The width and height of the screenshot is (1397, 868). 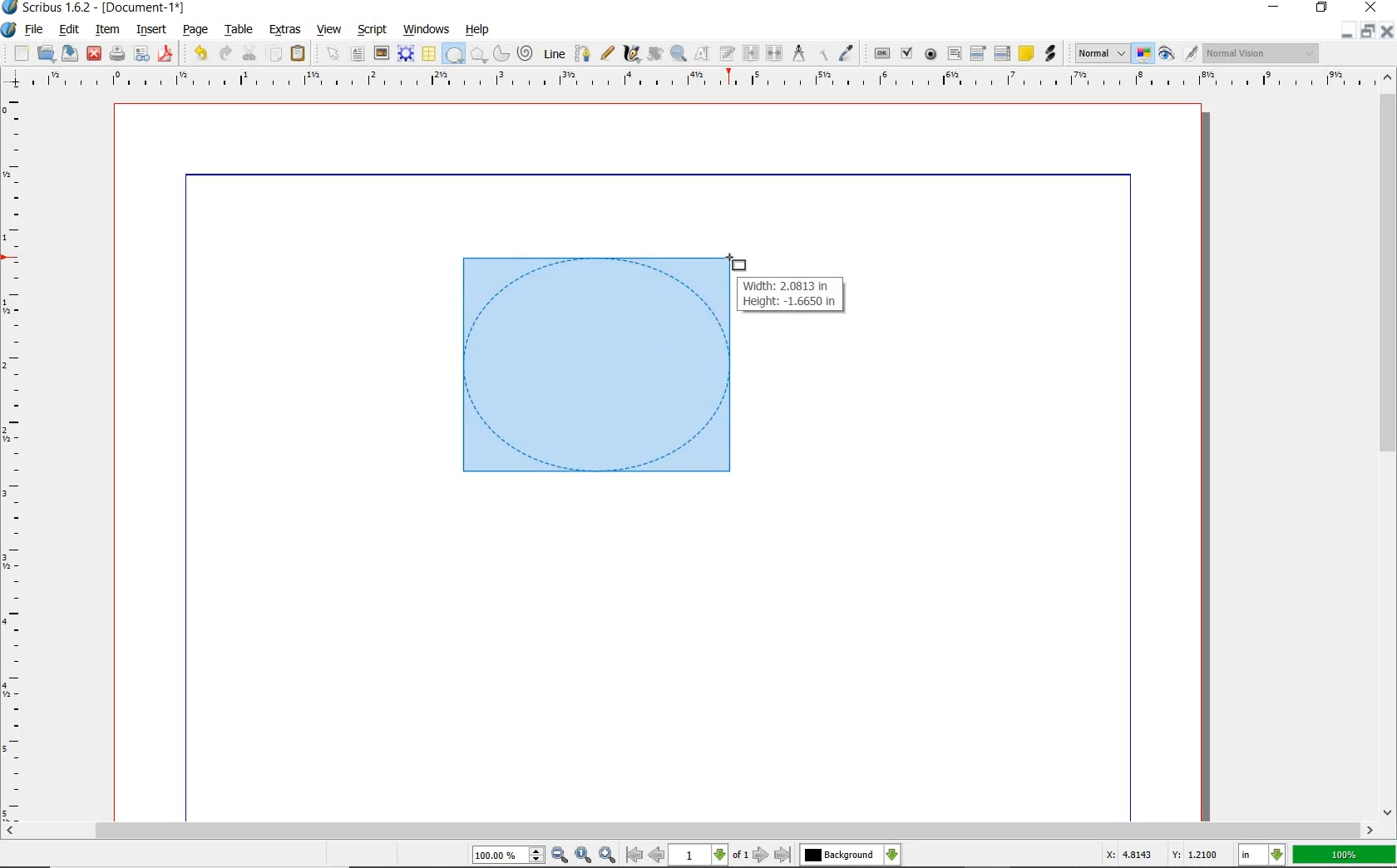 What do you see at coordinates (481, 28) in the screenshot?
I see `HELP` at bounding box center [481, 28].